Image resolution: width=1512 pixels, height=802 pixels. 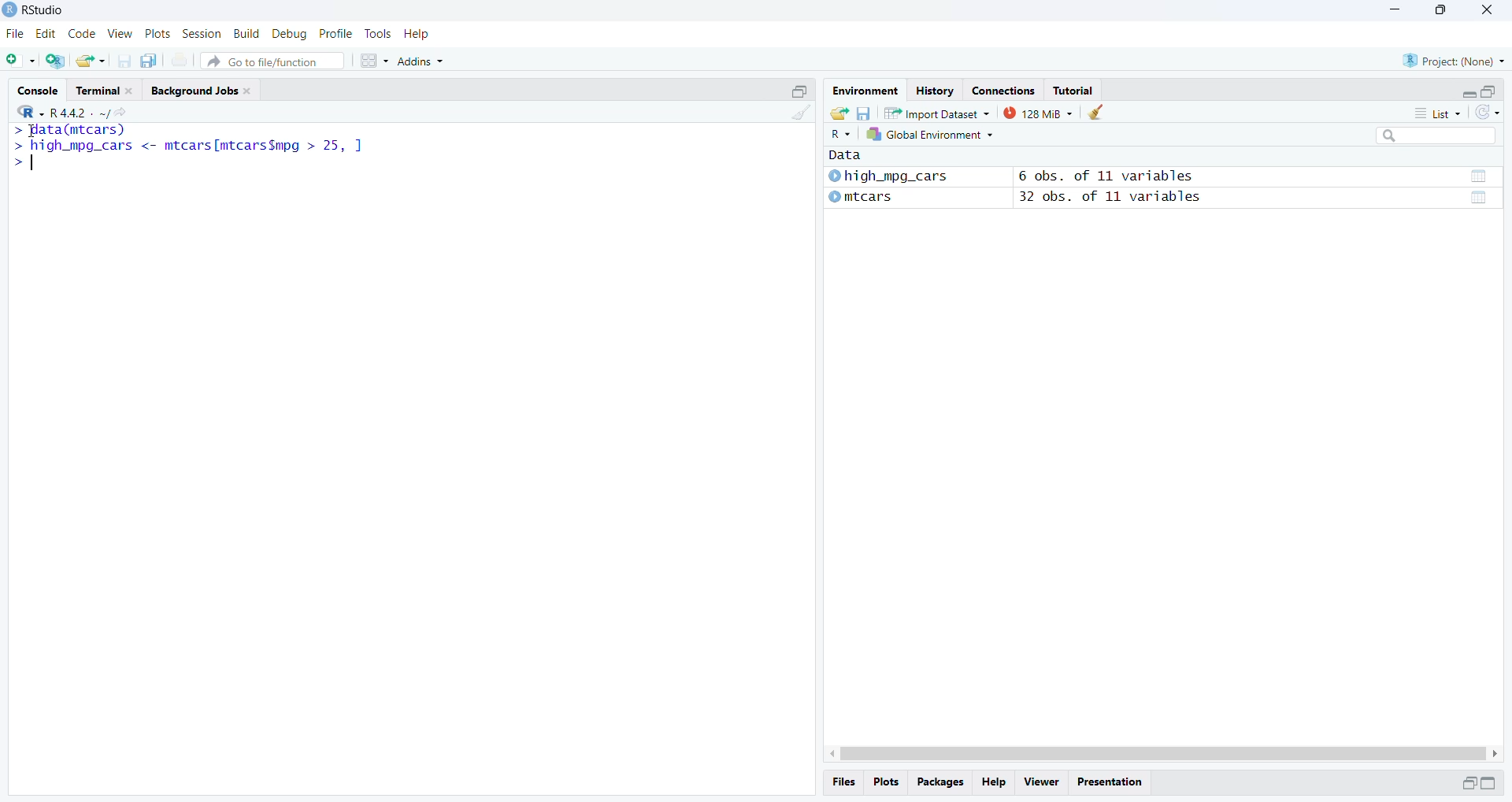 What do you see at coordinates (1095, 112) in the screenshot?
I see `clear objects from workspace` at bounding box center [1095, 112].